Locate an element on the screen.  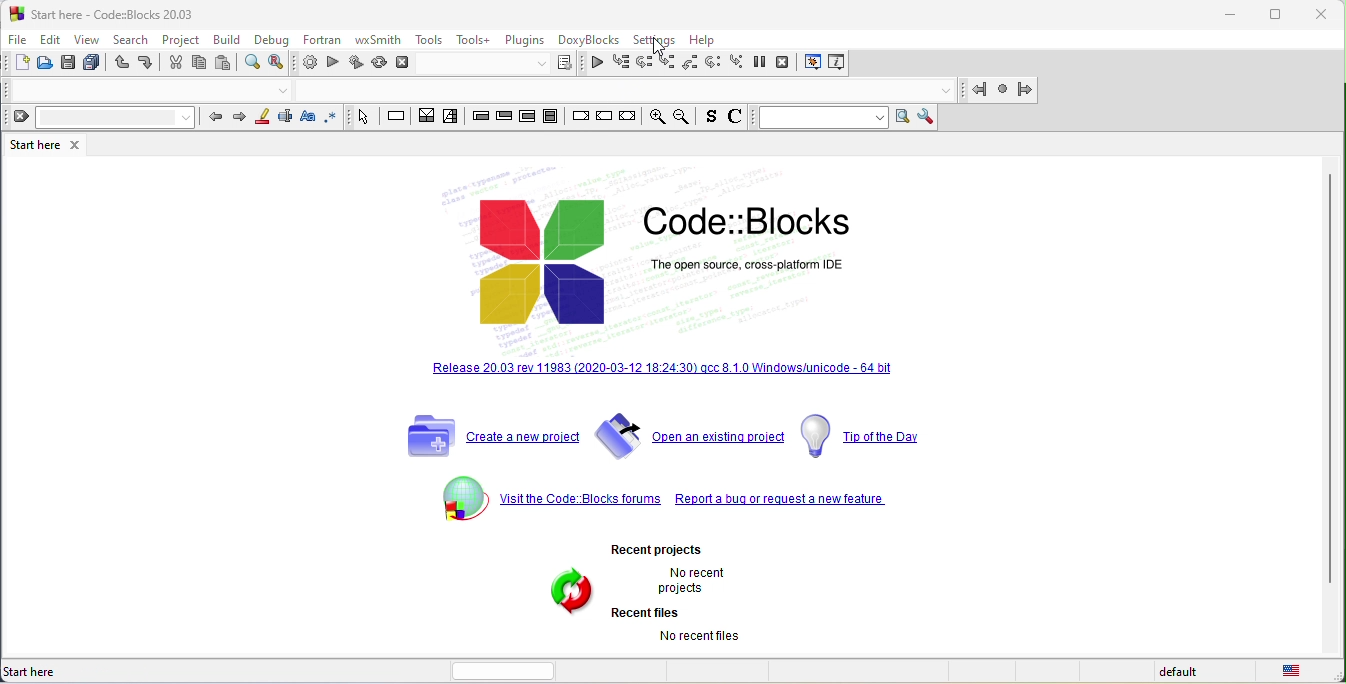
break debugger is located at coordinates (763, 65).